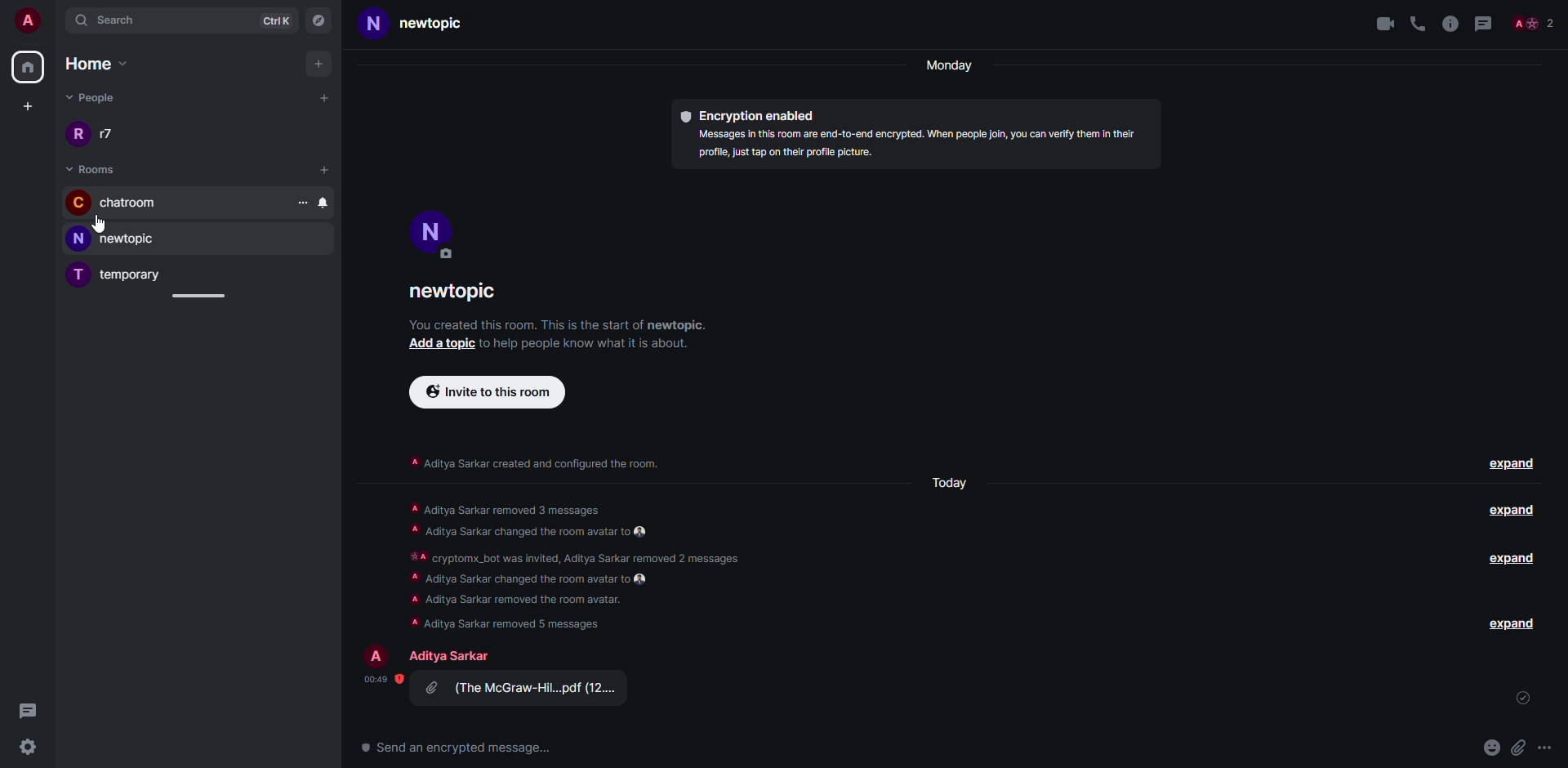 This screenshot has height=768, width=1568. Describe the element at coordinates (458, 749) in the screenshot. I see `send an encrypted message` at that location.